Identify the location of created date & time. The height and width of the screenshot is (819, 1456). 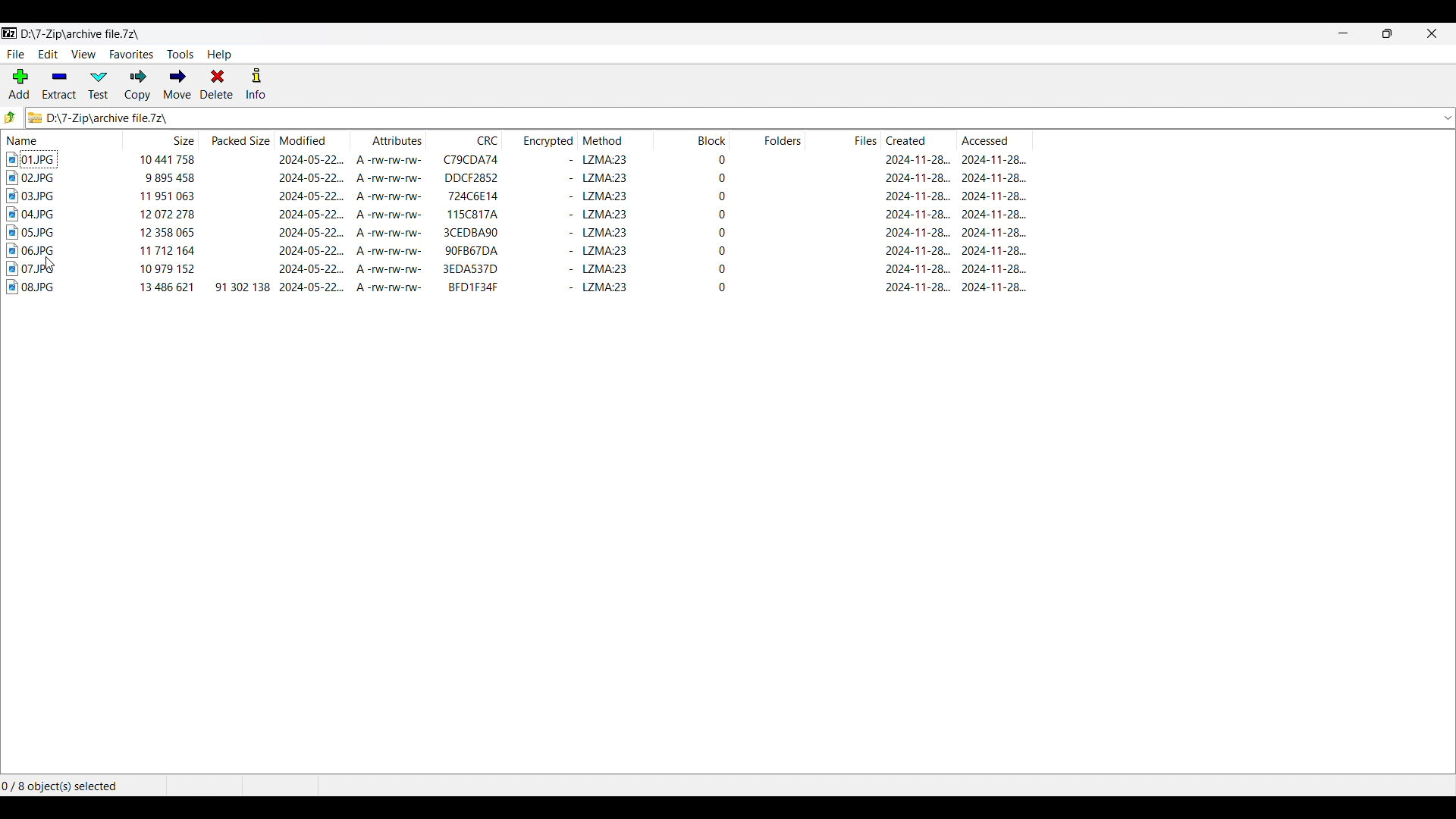
(917, 287).